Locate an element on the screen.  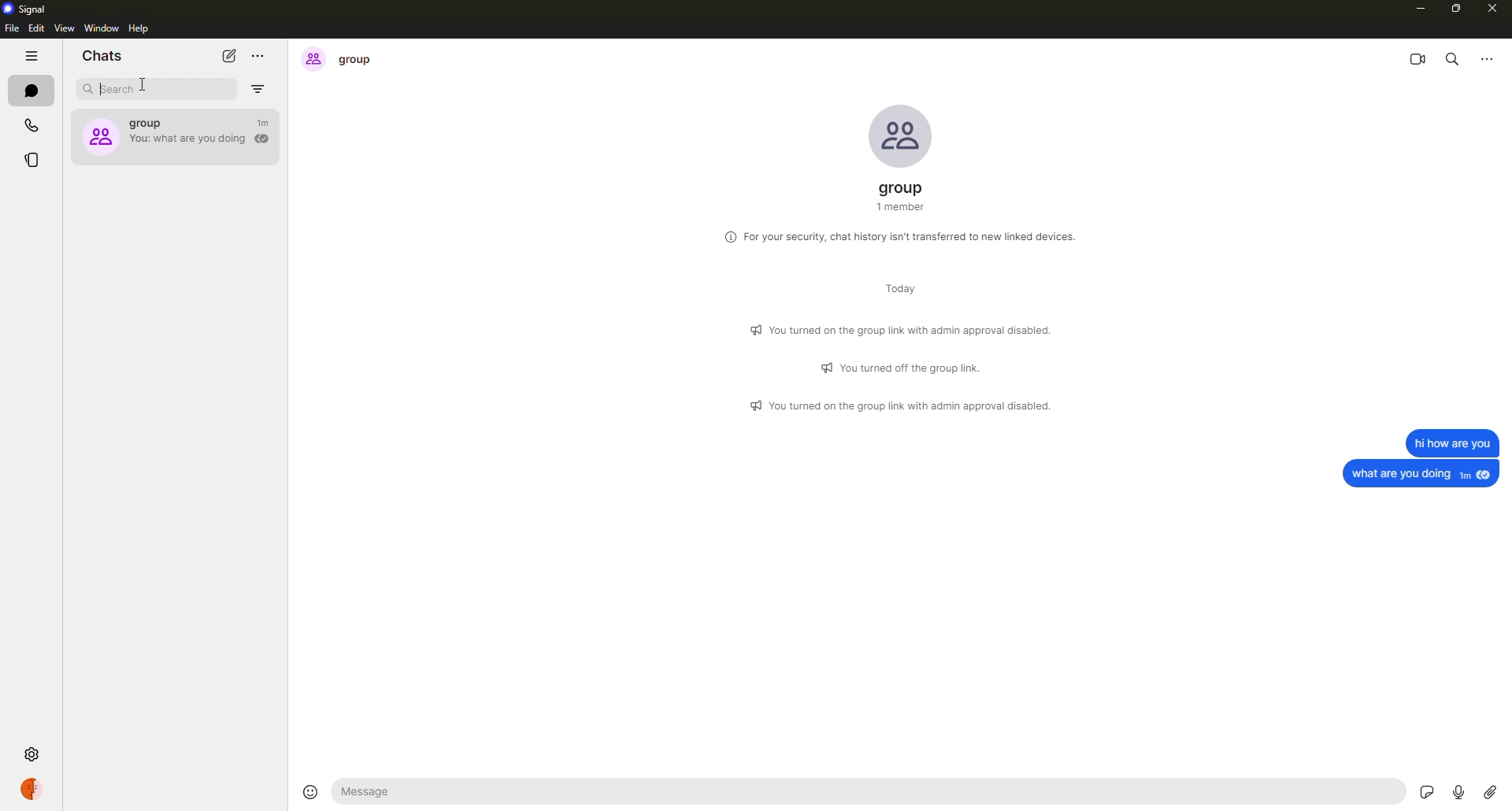
cursor is located at coordinates (146, 86).